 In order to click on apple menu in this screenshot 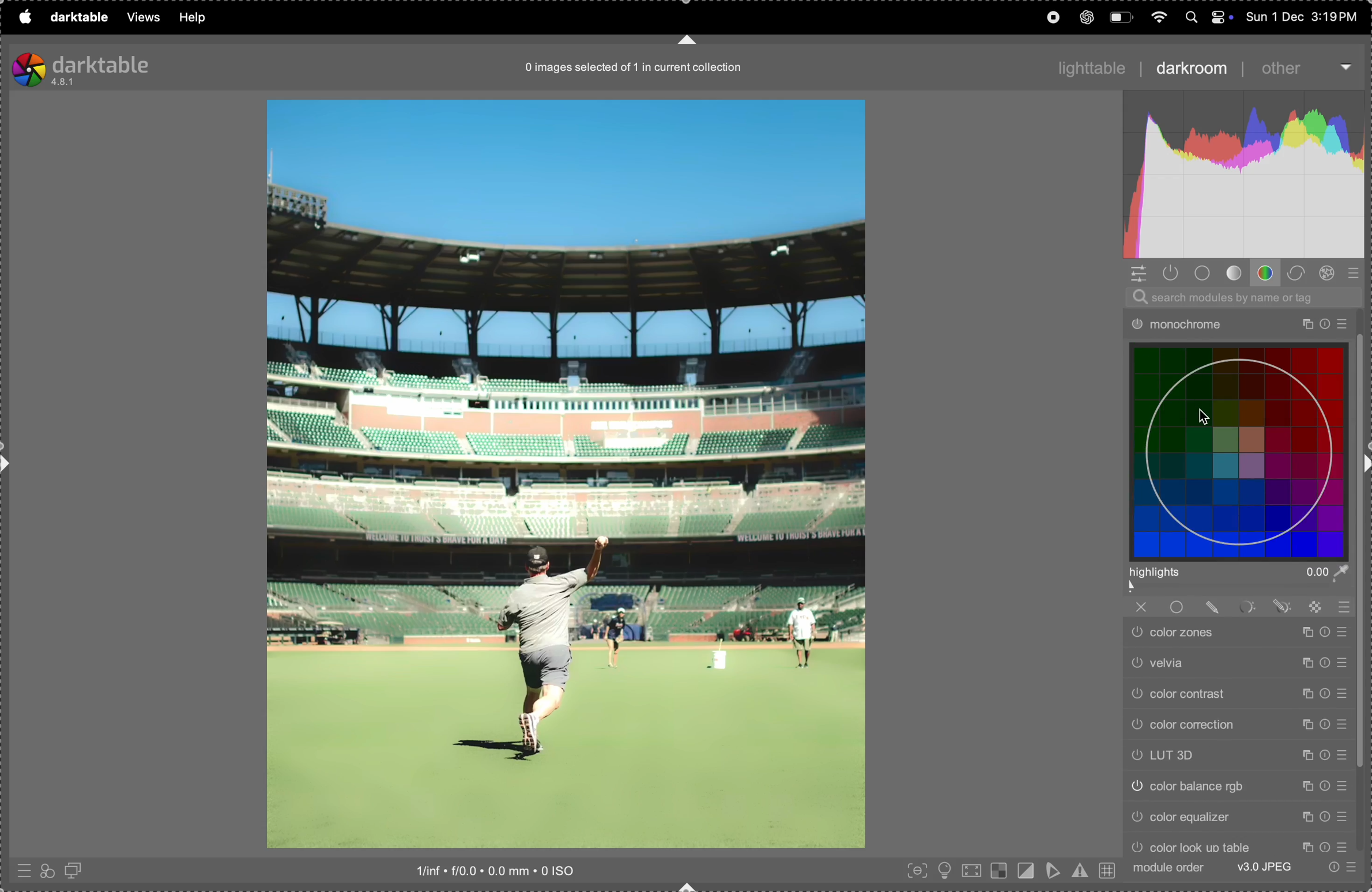, I will do `click(24, 17)`.